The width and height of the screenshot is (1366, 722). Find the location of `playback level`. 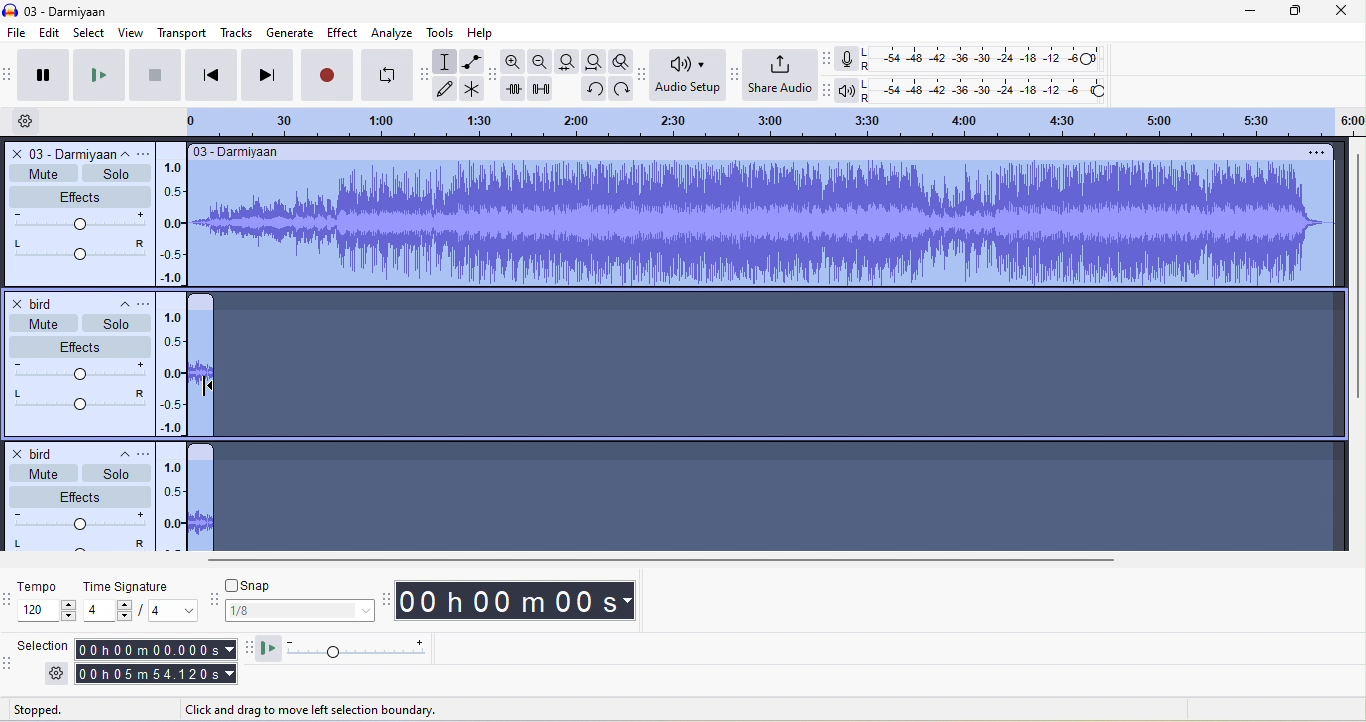

playback level is located at coordinates (989, 90).